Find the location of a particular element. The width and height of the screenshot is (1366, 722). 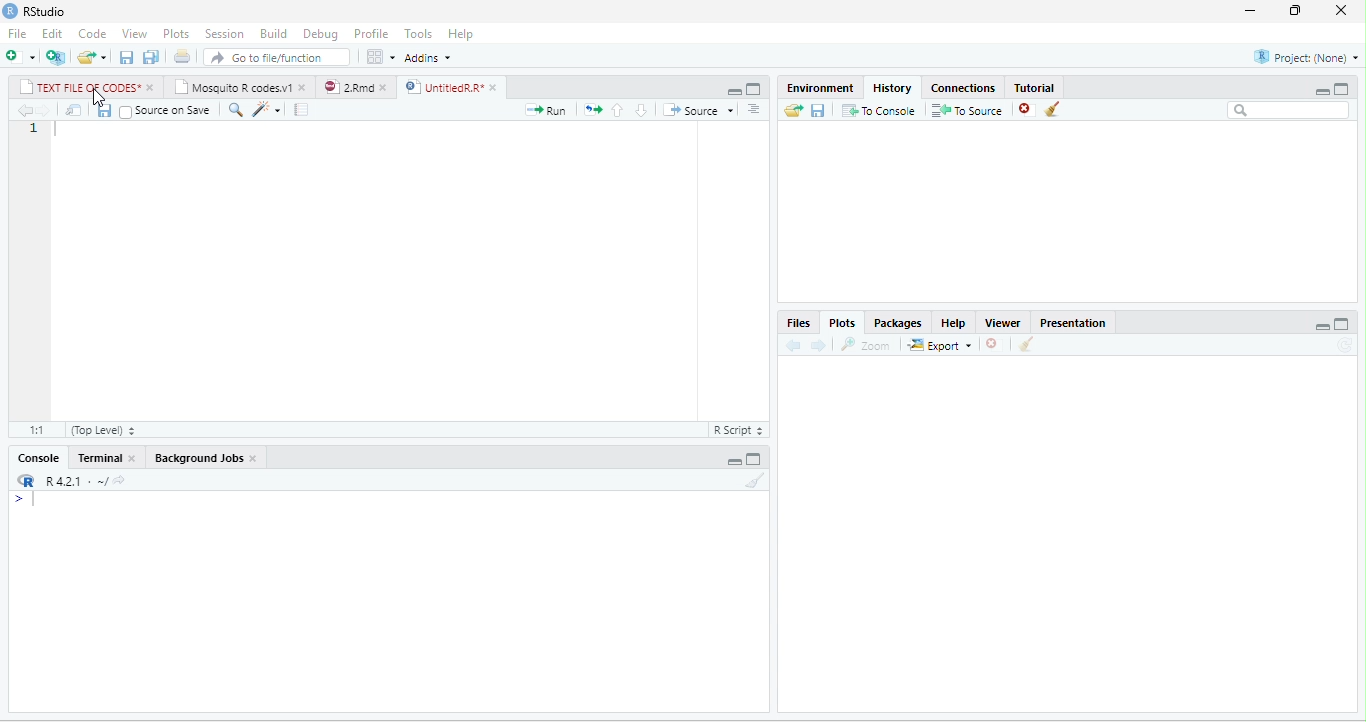

maximize is located at coordinates (1343, 324).